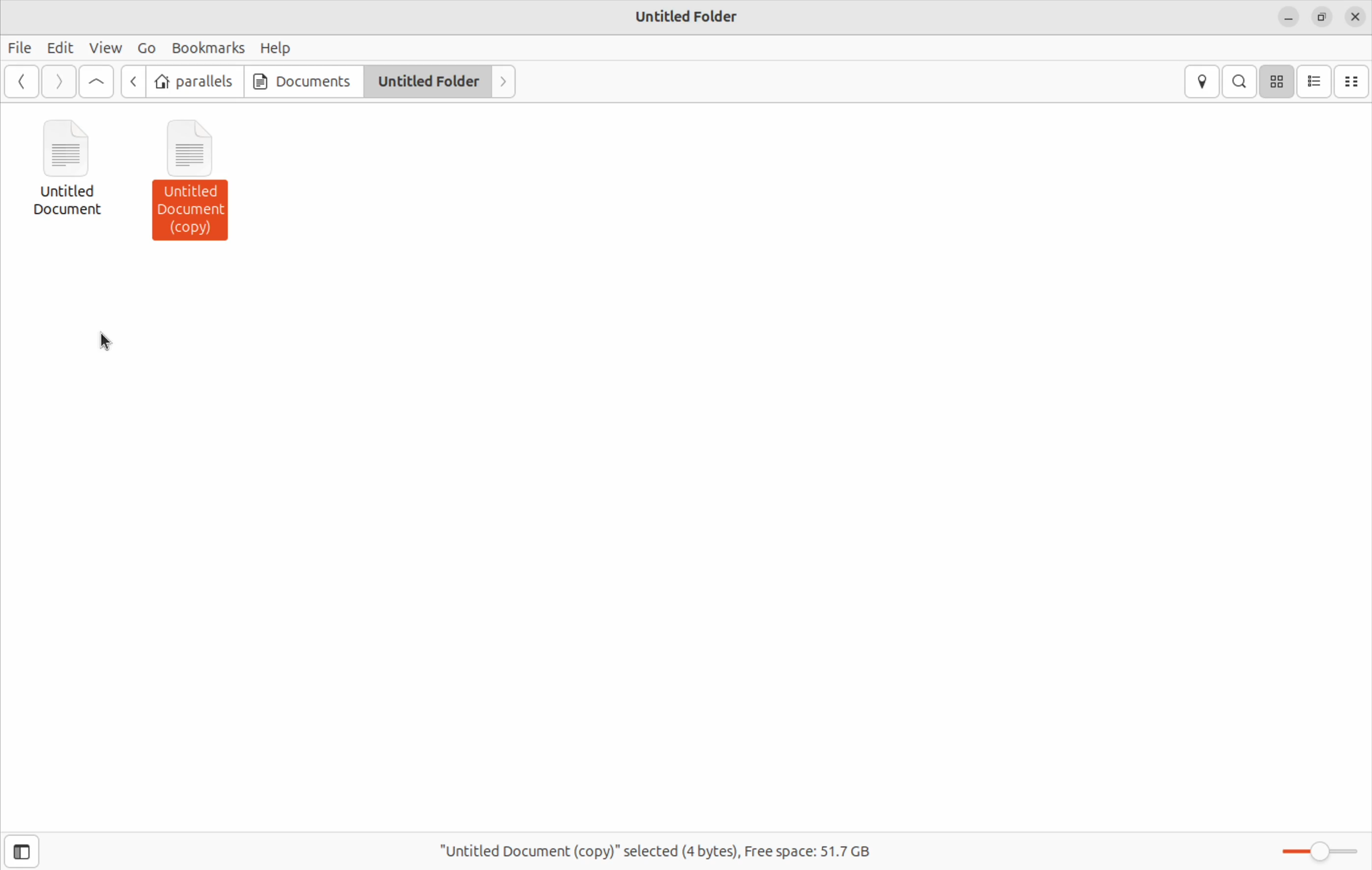  I want to click on location, so click(1203, 83).